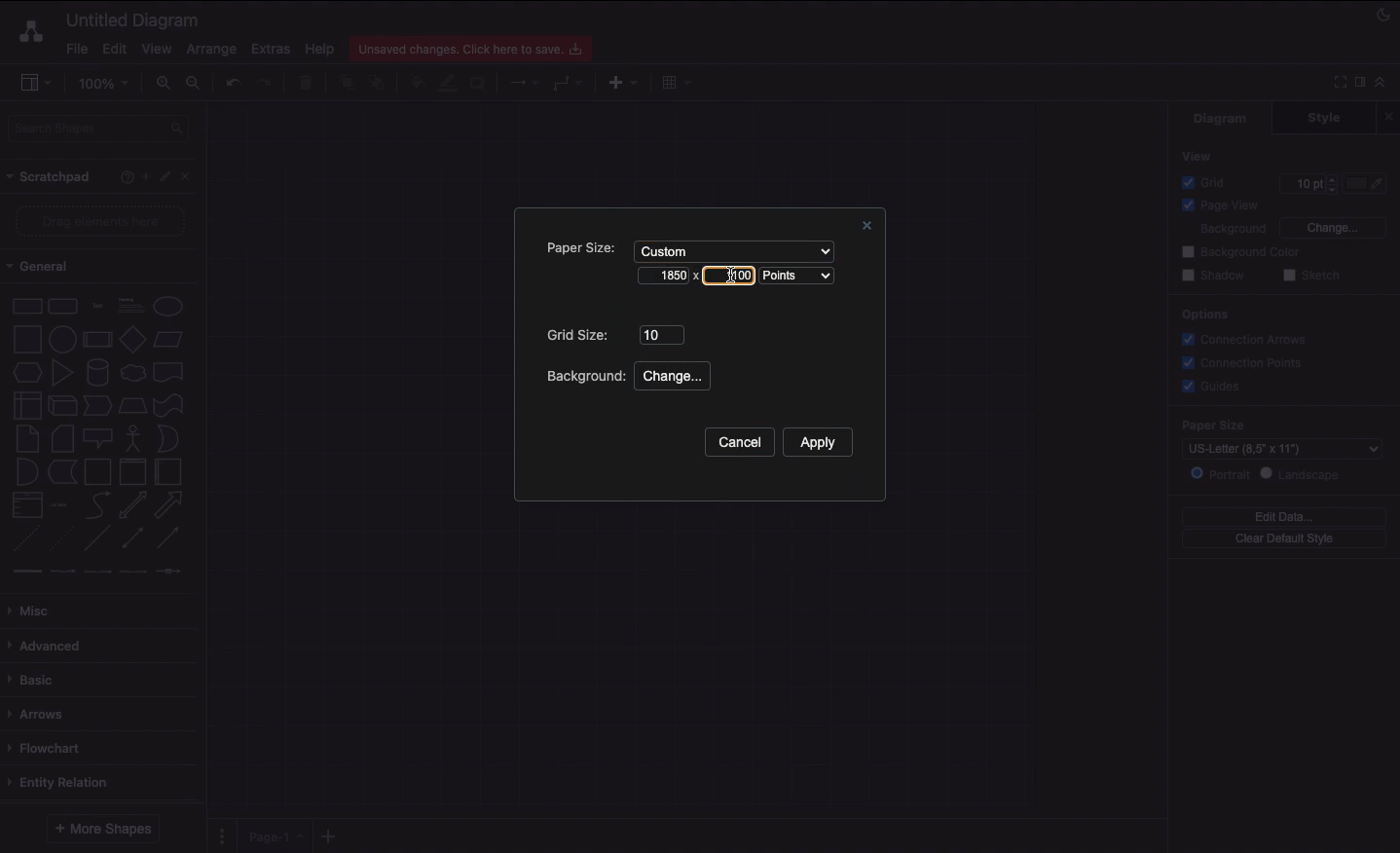  Describe the element at coordinates (1361, 85) in the screenshot. I see `Format` at that location.